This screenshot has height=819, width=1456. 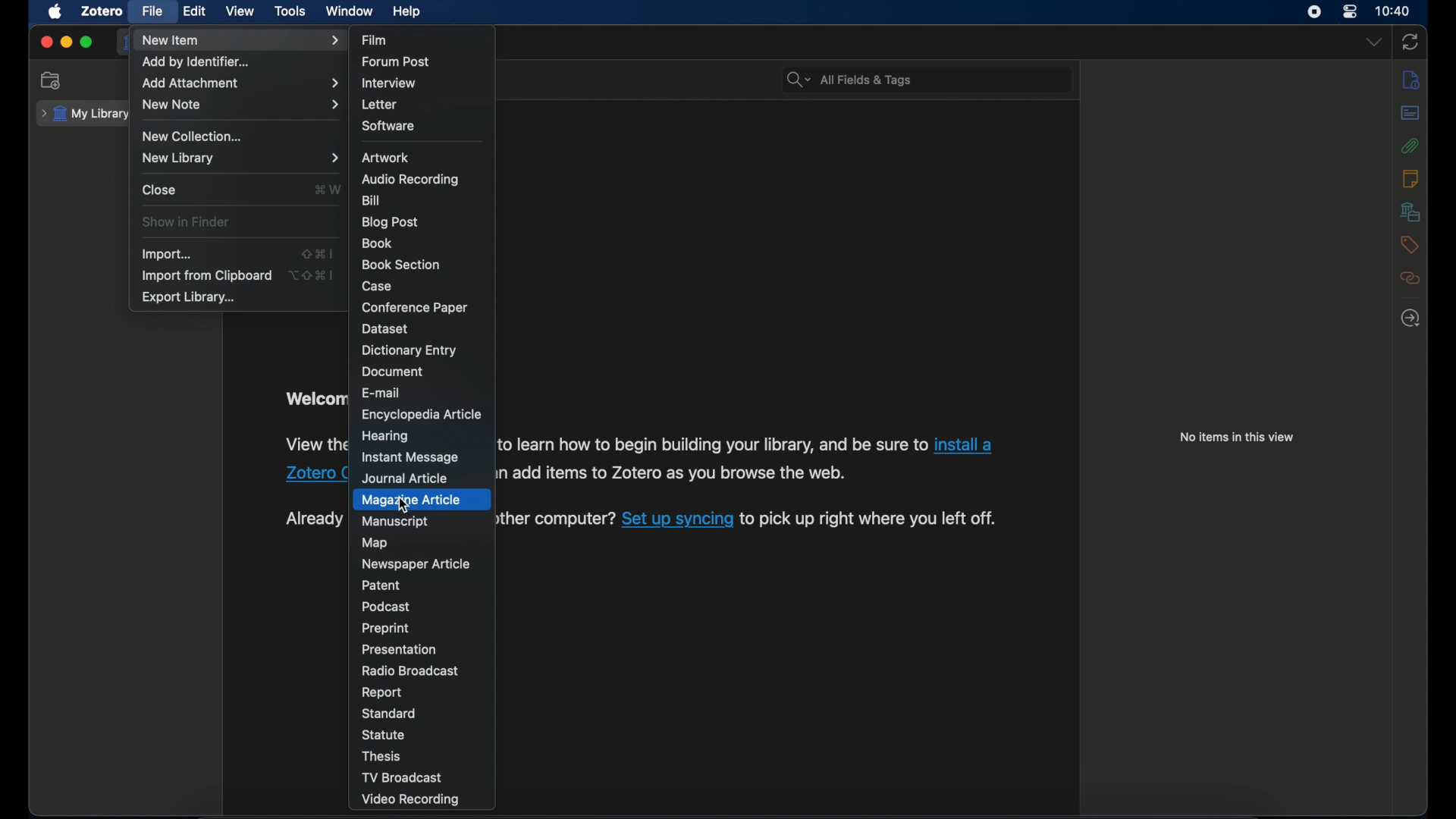 I want to click on interview, so click(x=390, y=84).